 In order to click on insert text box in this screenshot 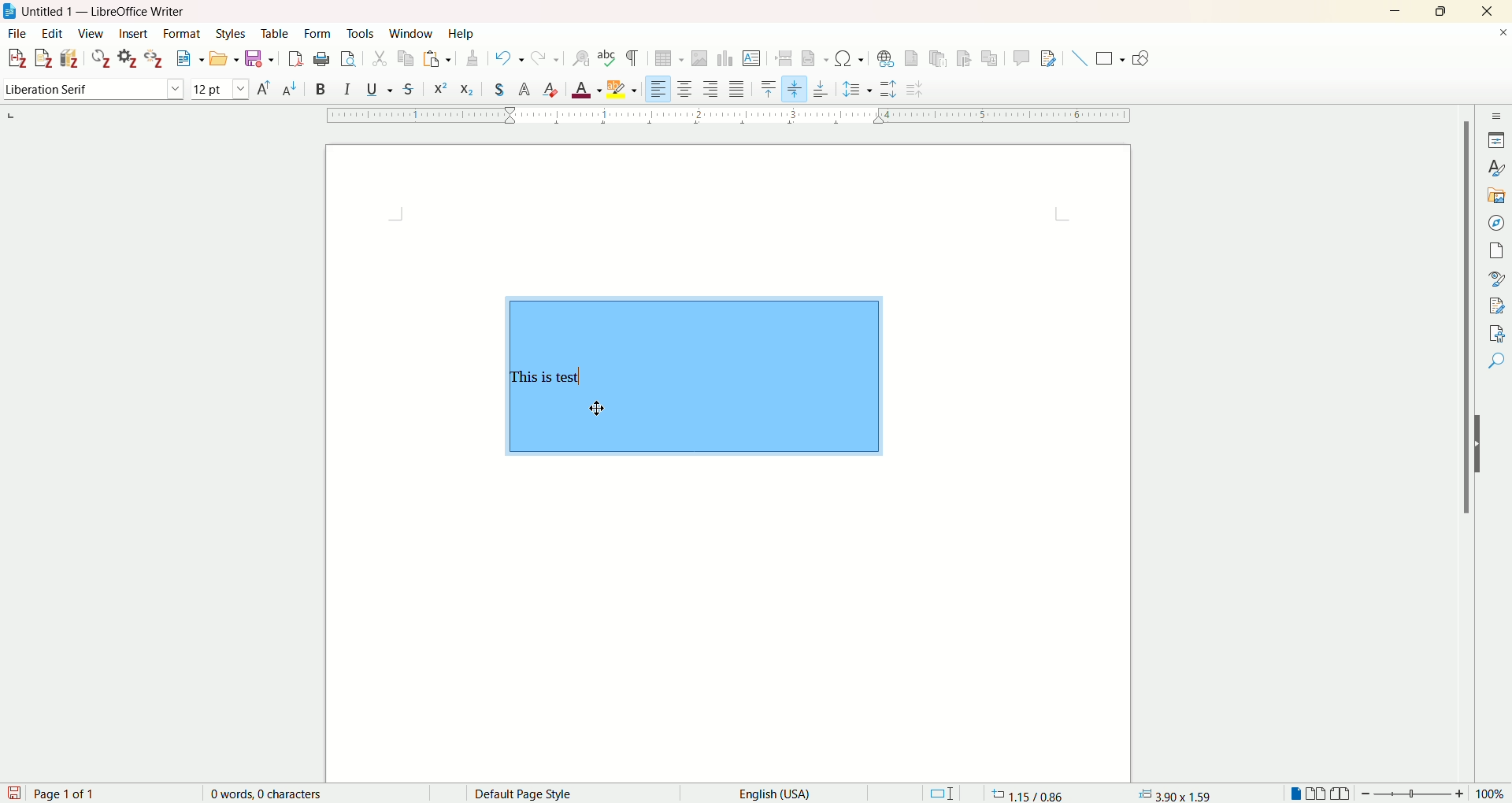, I will do `click(752, 57)`.